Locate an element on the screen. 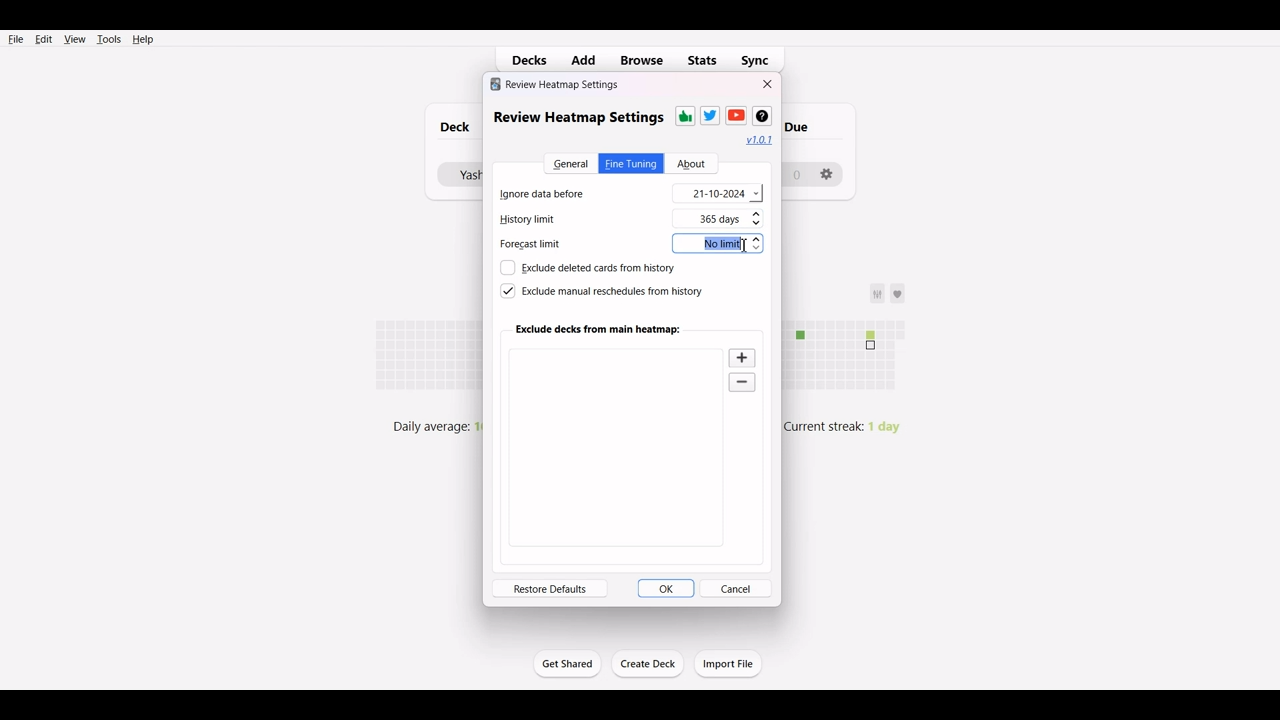 The image size is (1280, 720). Sync is located at coordinates (762, 58).